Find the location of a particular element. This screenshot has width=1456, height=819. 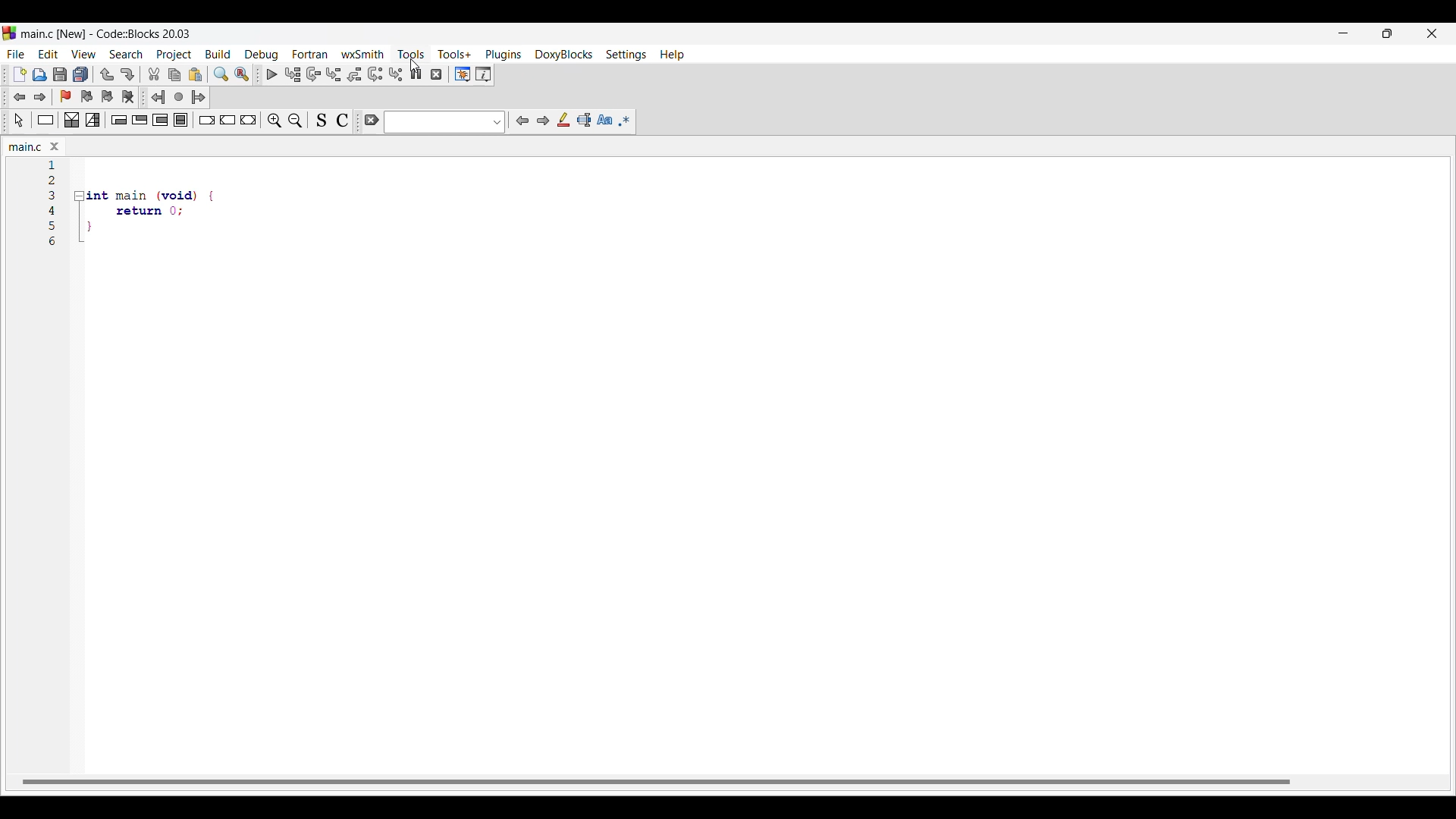

Close interface is located at coordinates (1432, 33).